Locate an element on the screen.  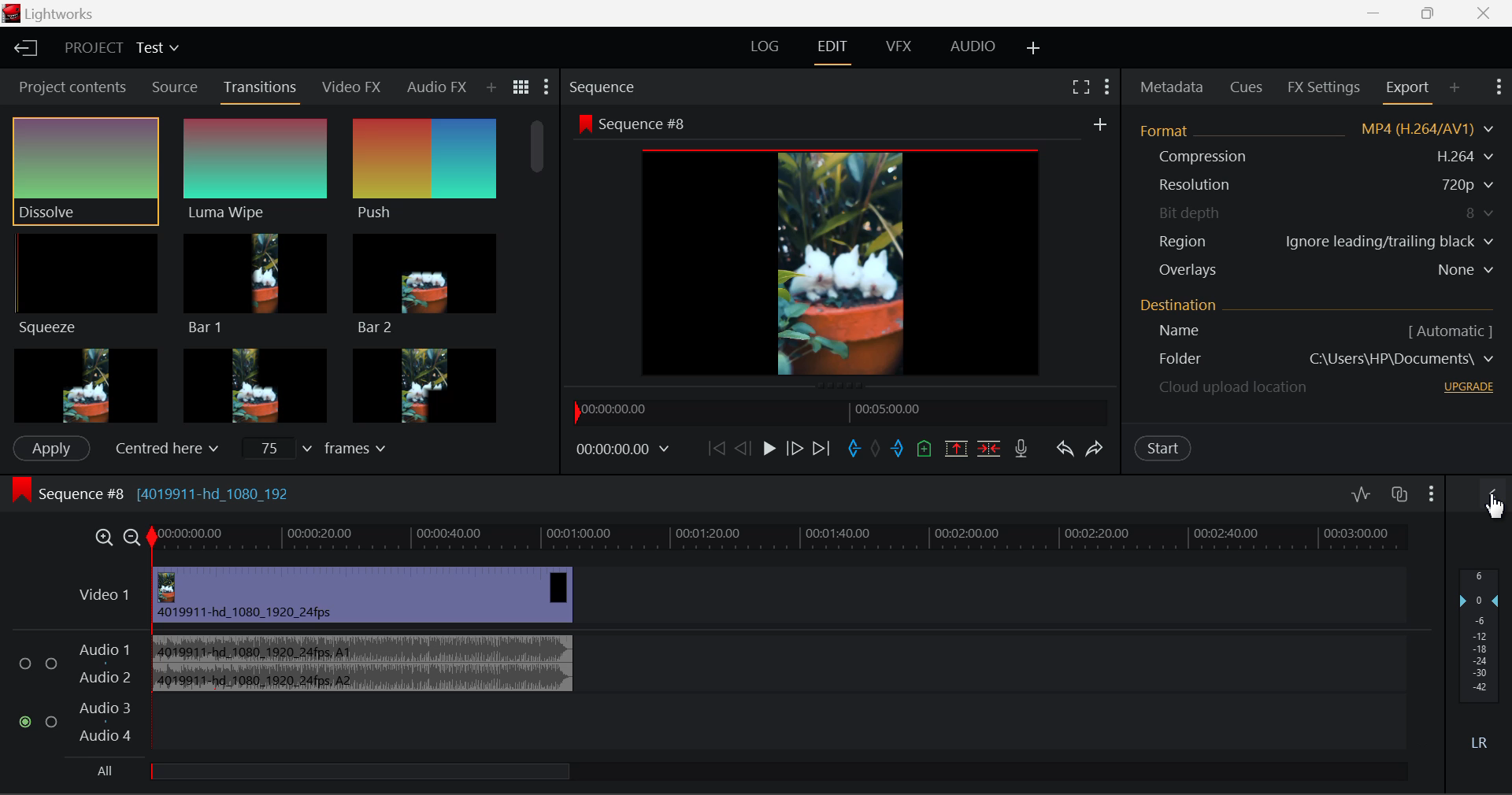
Undo is located at coordinates (1064, 448).